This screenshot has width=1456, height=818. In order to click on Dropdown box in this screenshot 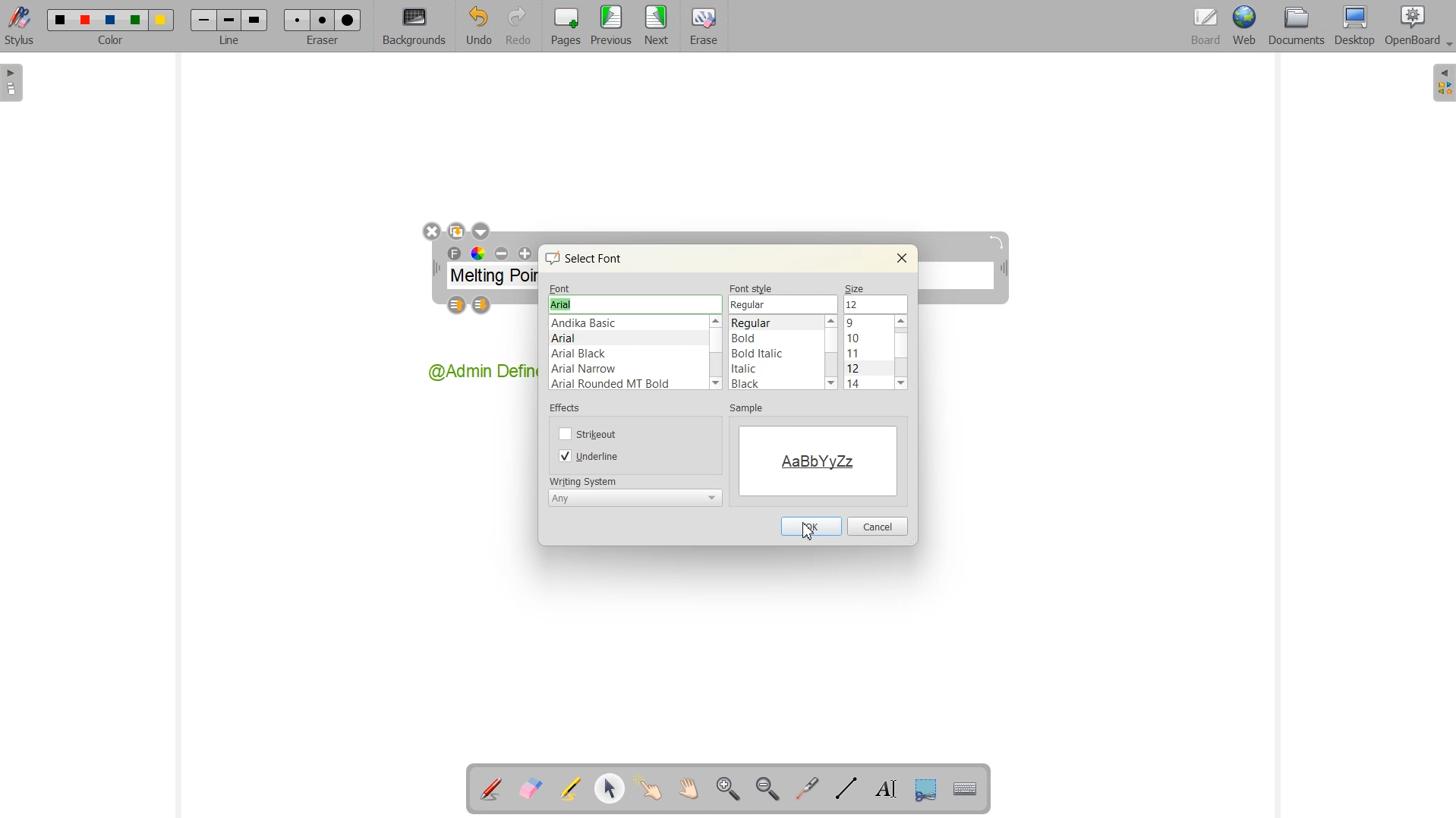, I will do `click(481, 231)`.